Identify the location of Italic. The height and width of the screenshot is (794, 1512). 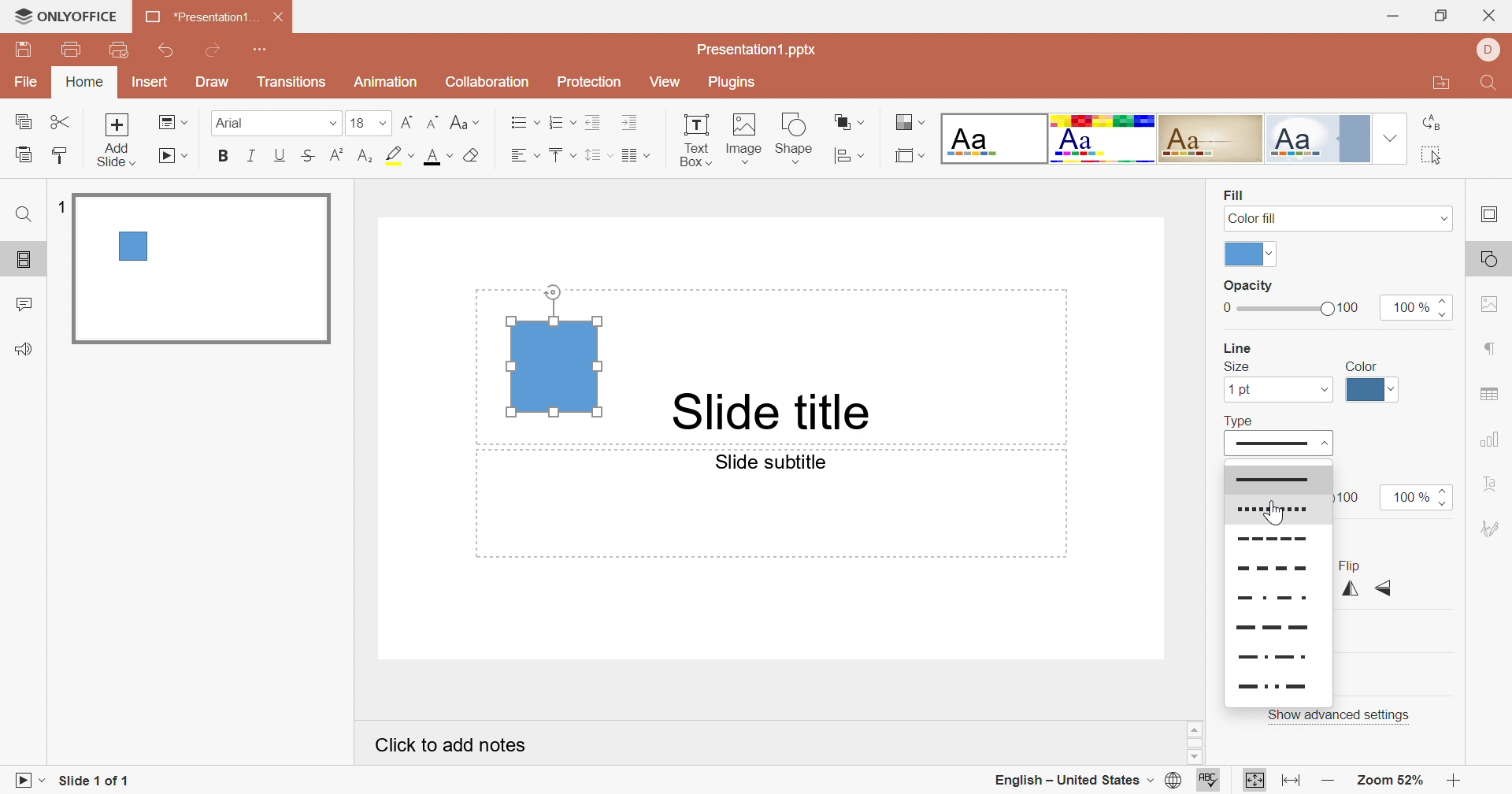
(252, 156).